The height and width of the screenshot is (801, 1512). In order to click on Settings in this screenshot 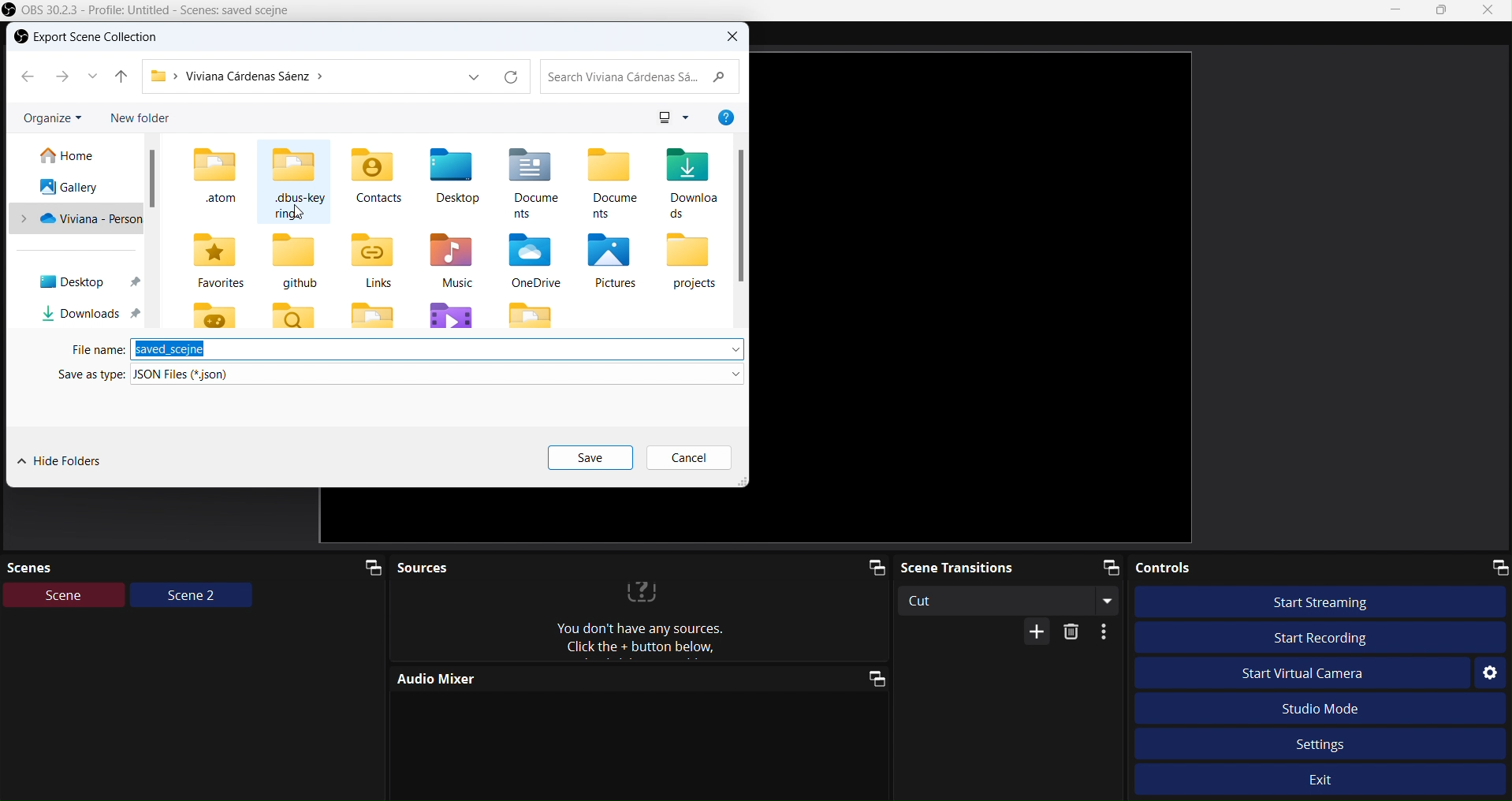, I will do `click(1324, 744)`.